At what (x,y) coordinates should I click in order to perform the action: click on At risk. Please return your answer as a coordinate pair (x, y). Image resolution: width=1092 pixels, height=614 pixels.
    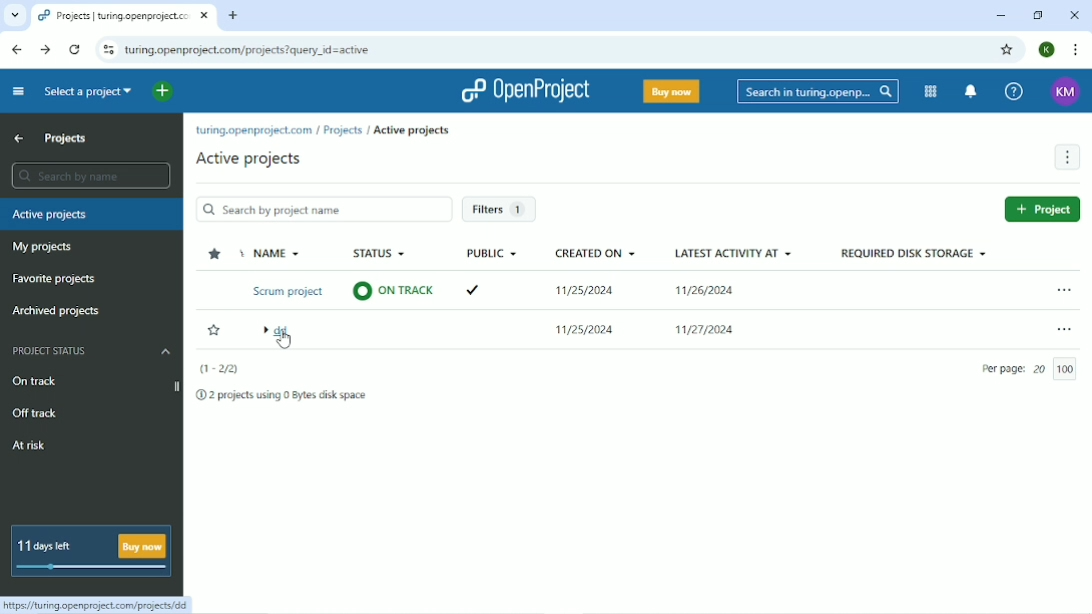
    Looking at the image, I should click on (31, 444).